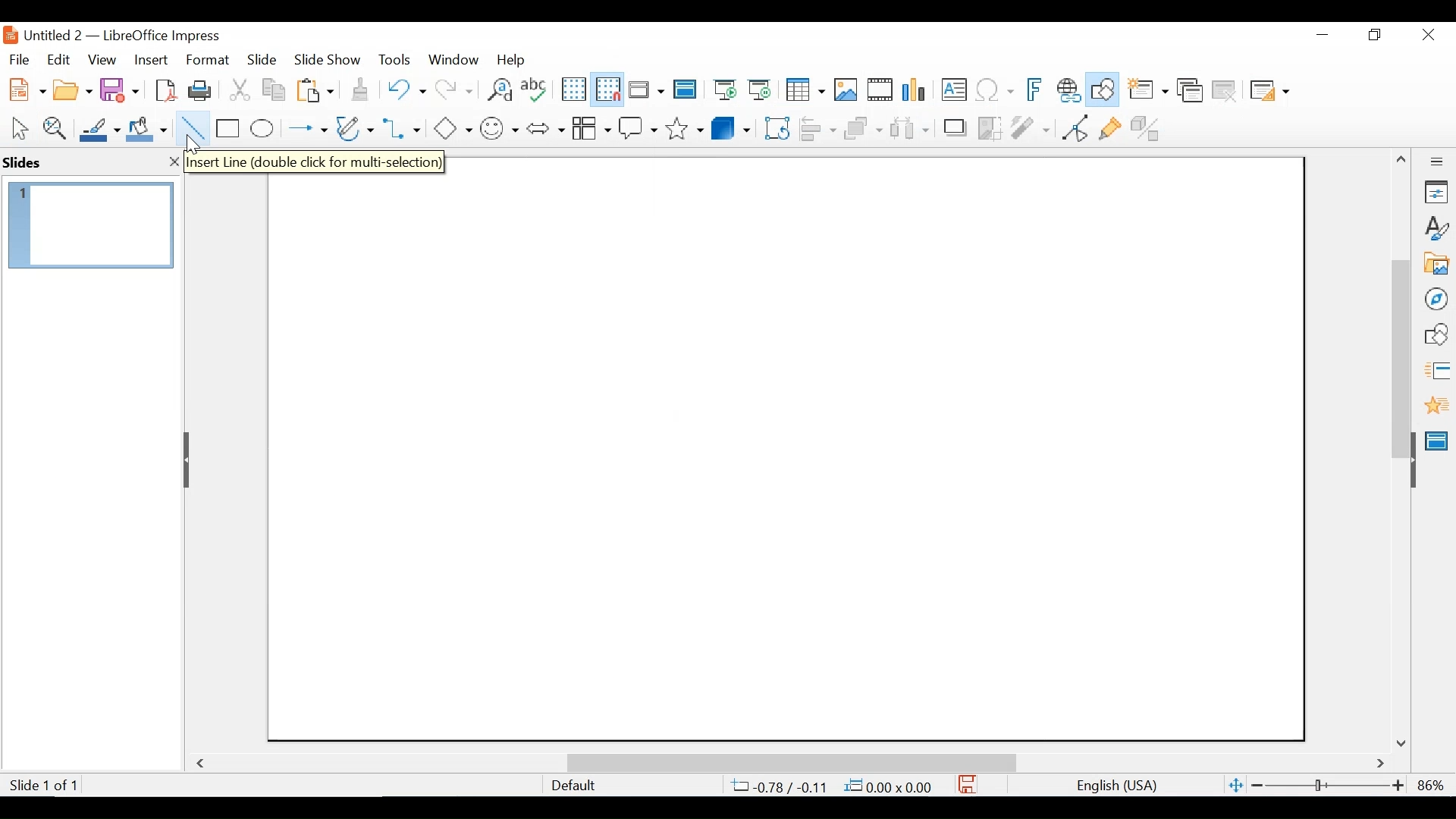 This screenshot has width=1456, height=819. What do you see at coordinates (165, 89) in the screenshot?
I see `Export as PDF` at bounding box center [165, 89].